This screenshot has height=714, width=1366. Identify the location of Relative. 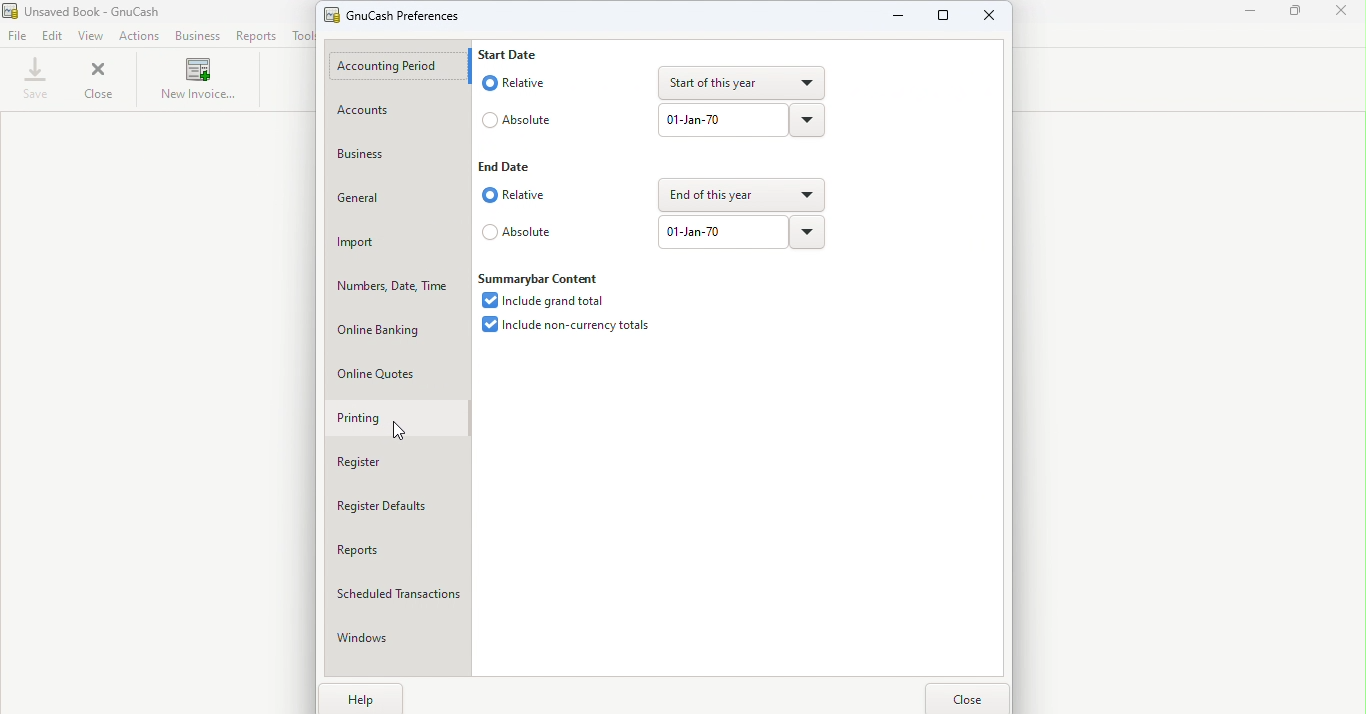
(515, 192).